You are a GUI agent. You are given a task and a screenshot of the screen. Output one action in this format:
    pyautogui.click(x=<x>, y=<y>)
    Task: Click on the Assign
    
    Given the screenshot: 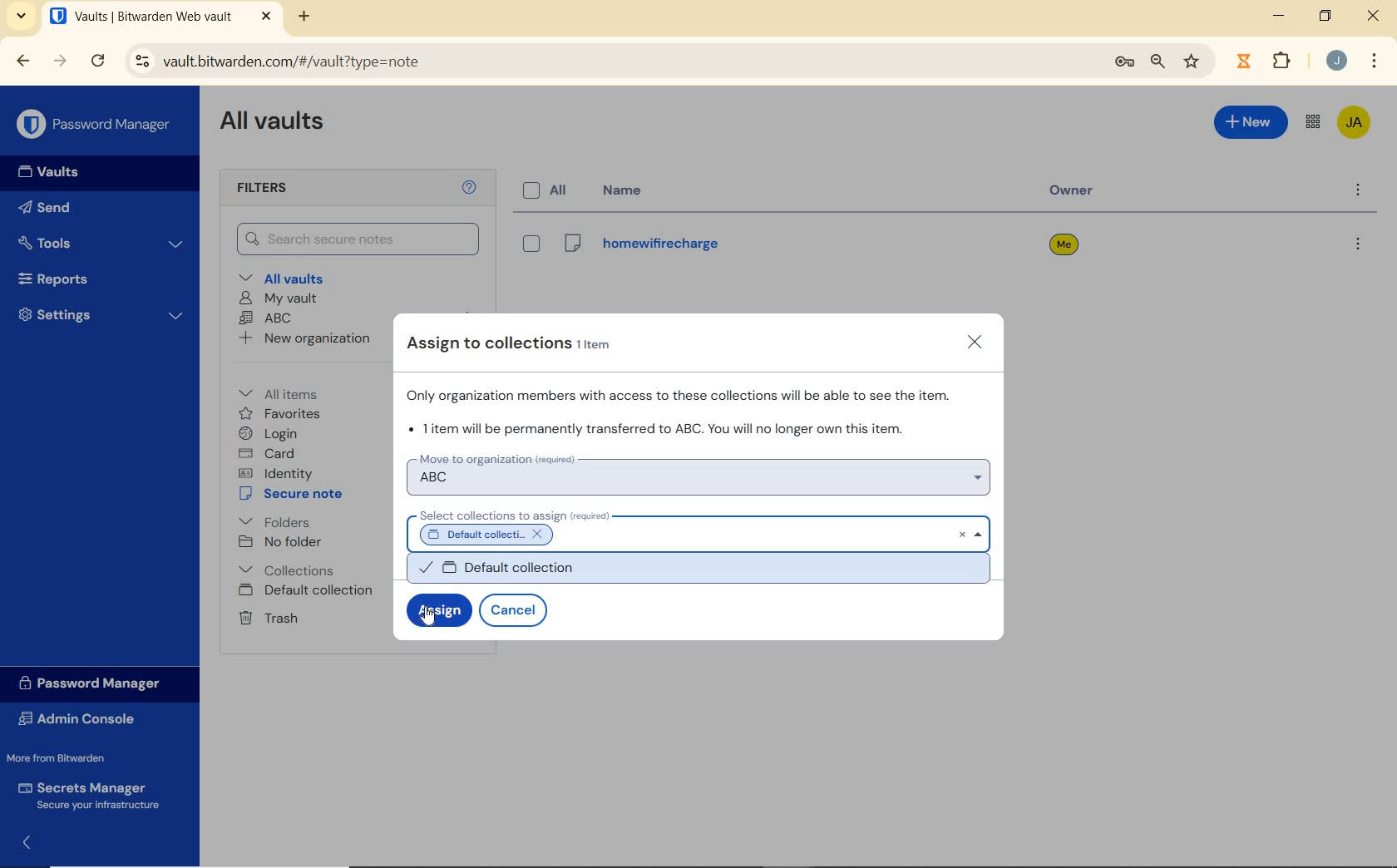 What is the action you would take?
    pyautogui.click(x=437, y=611)
    